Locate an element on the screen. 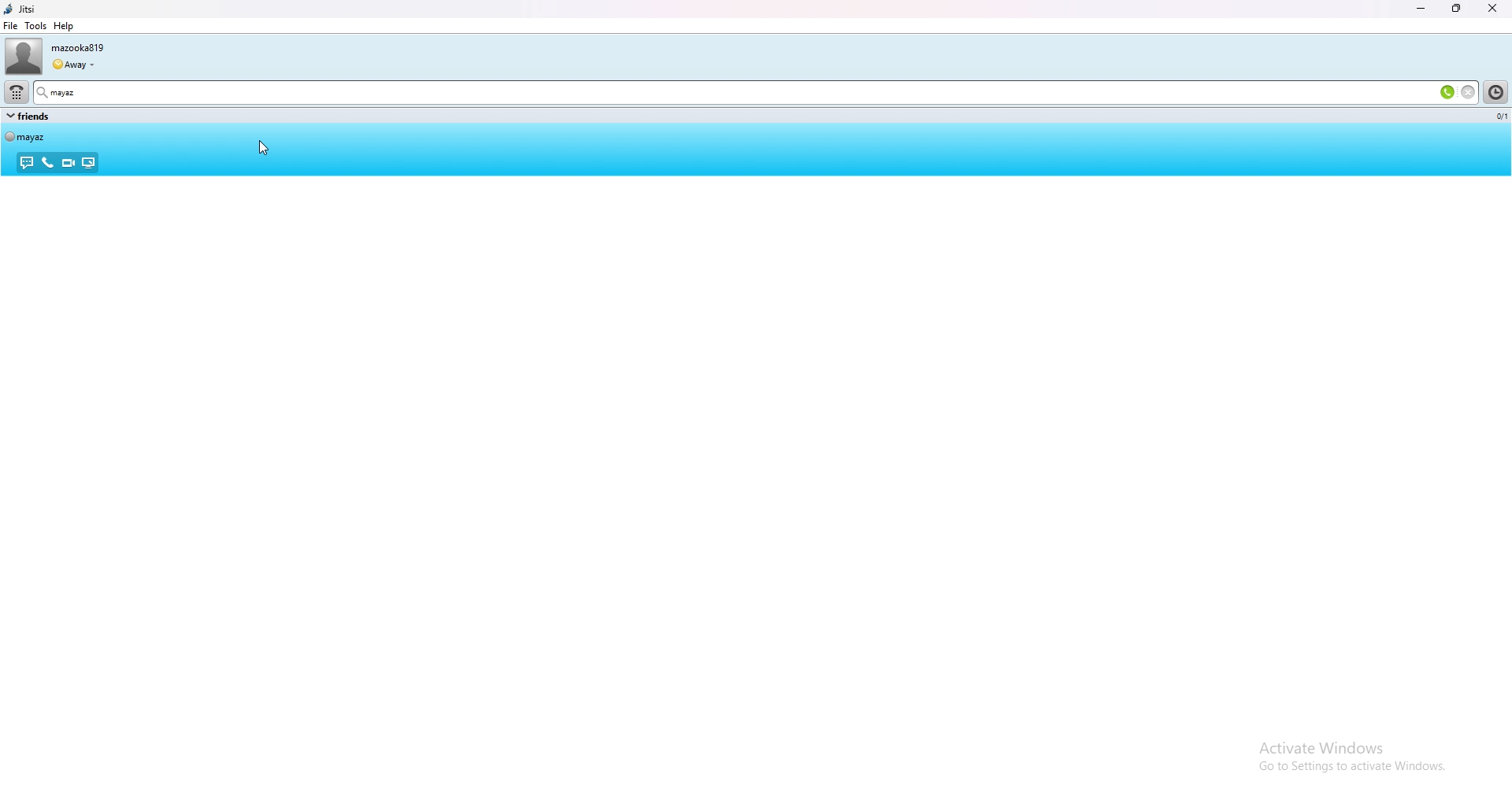 The width and height of the screenshot is (1512, 811). call is located at coordinates (1447, 91).